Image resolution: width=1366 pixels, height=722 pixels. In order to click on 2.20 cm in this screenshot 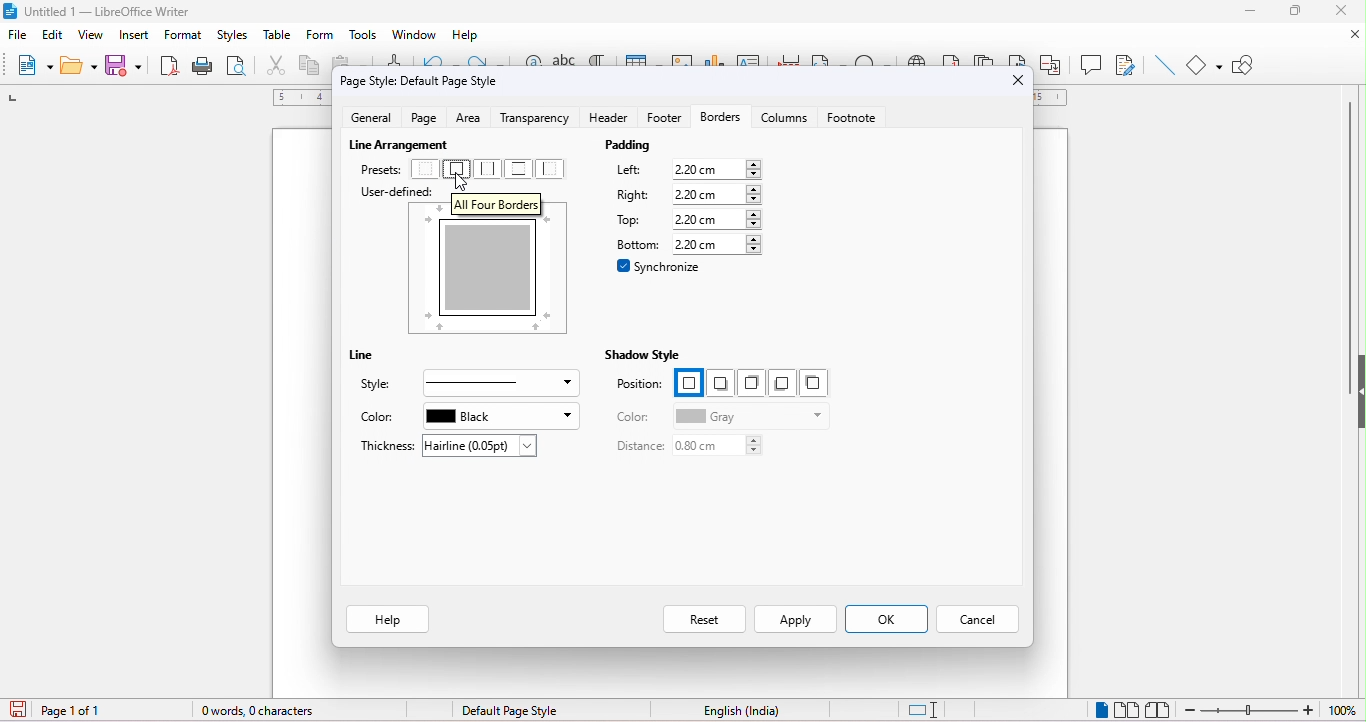, I will do `click(717, 219)`.